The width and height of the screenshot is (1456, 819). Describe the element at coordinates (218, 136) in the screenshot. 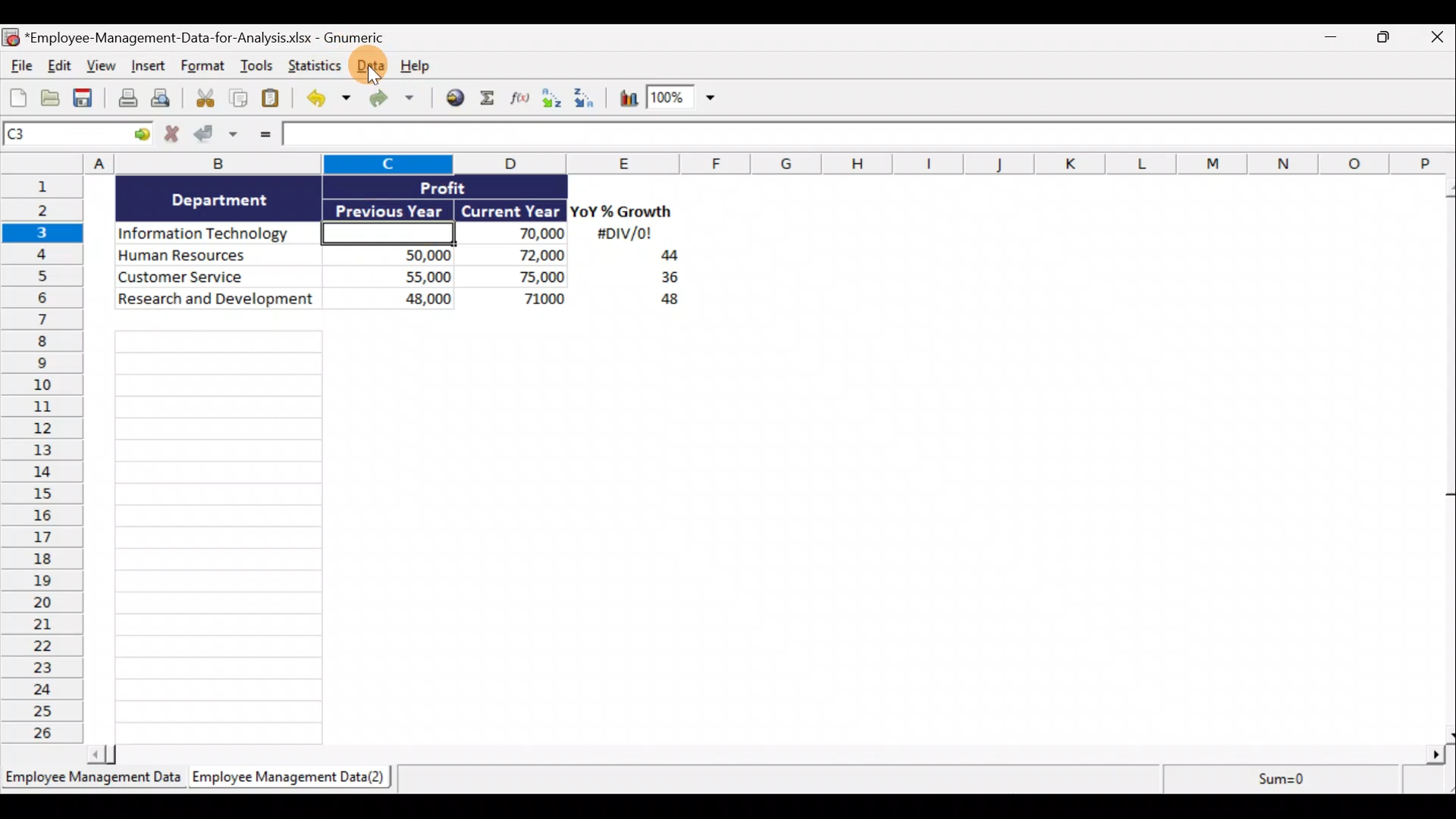

I see `Accept changes` at that location.